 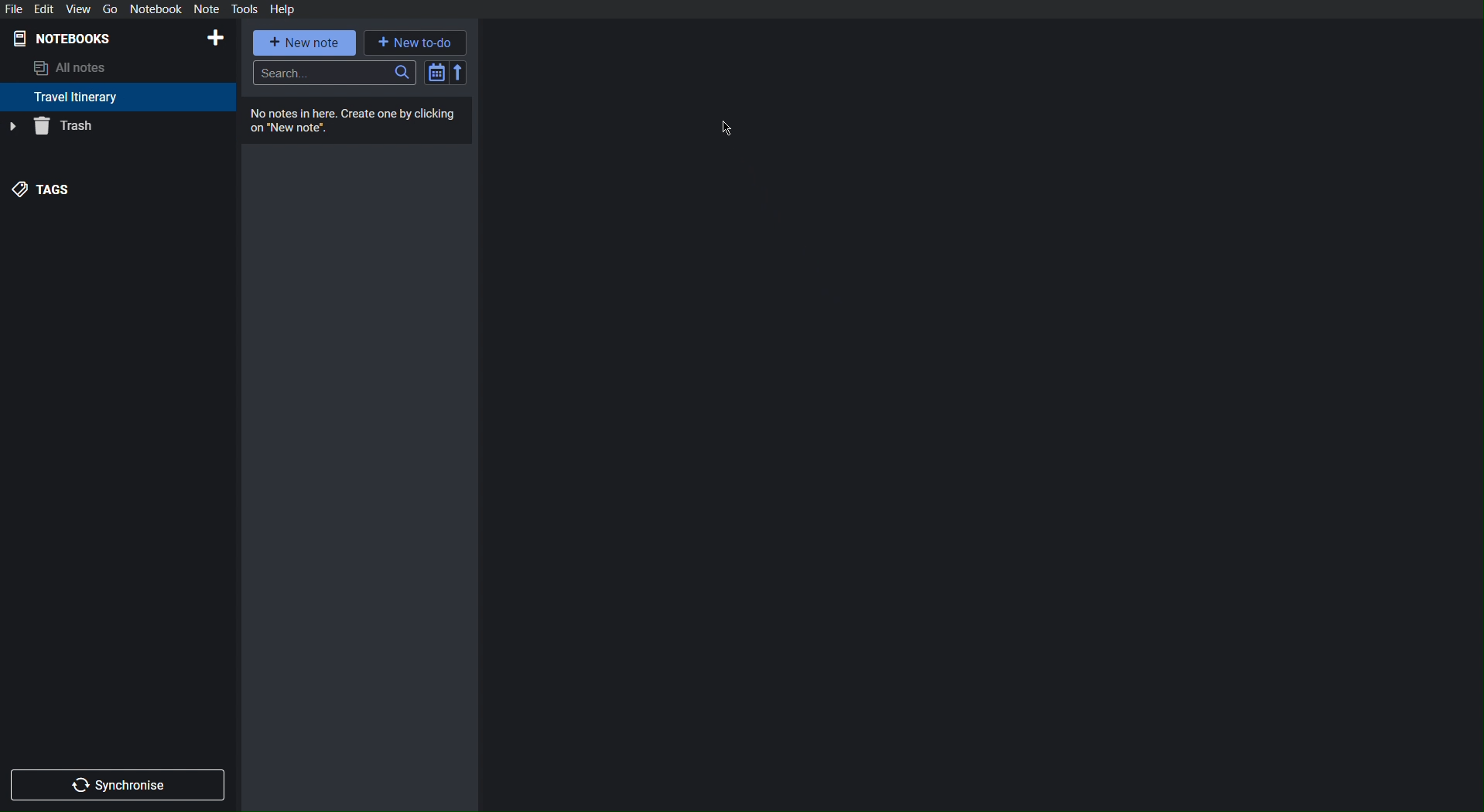 What do you see at coordinates (337, 75) in the screenshot?
I see `Search` at bounding box center [337, 75].